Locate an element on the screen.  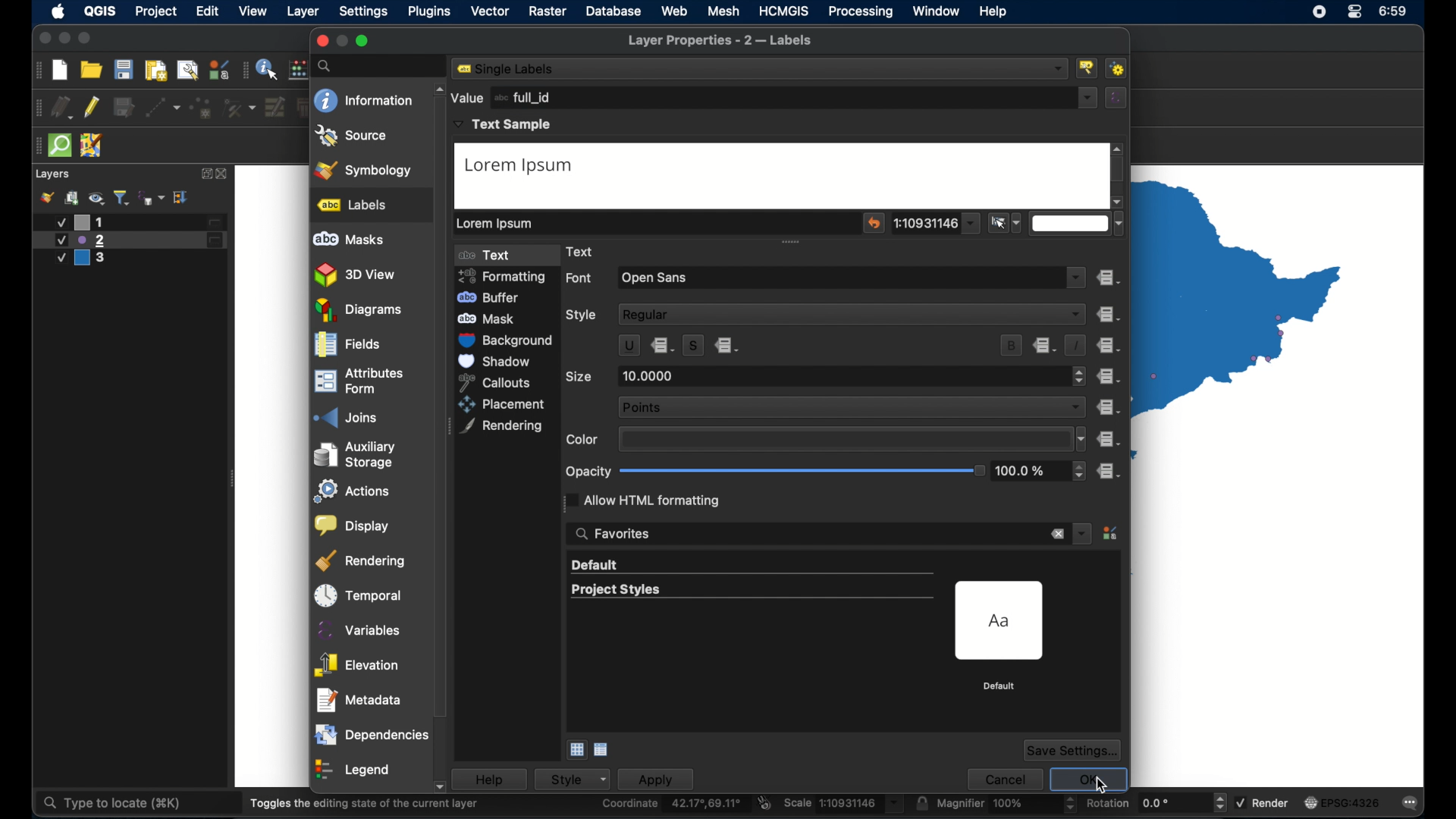
close is located at coordinates (224, 174).